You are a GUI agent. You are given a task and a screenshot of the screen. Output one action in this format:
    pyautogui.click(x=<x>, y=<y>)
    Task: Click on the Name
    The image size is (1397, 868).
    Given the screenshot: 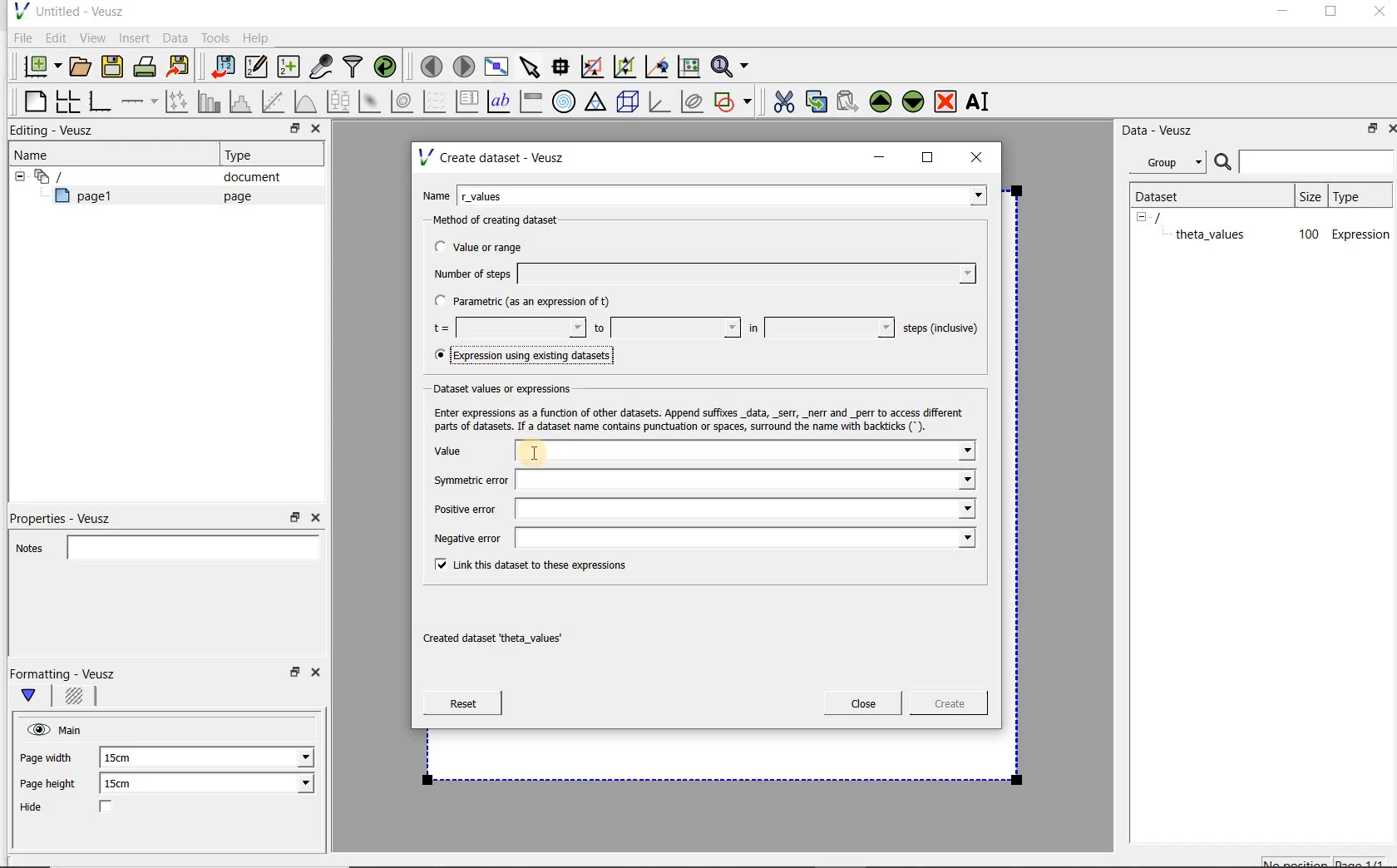 What is the action you would take?
    pyautogui.click(x=37, y=154)
    